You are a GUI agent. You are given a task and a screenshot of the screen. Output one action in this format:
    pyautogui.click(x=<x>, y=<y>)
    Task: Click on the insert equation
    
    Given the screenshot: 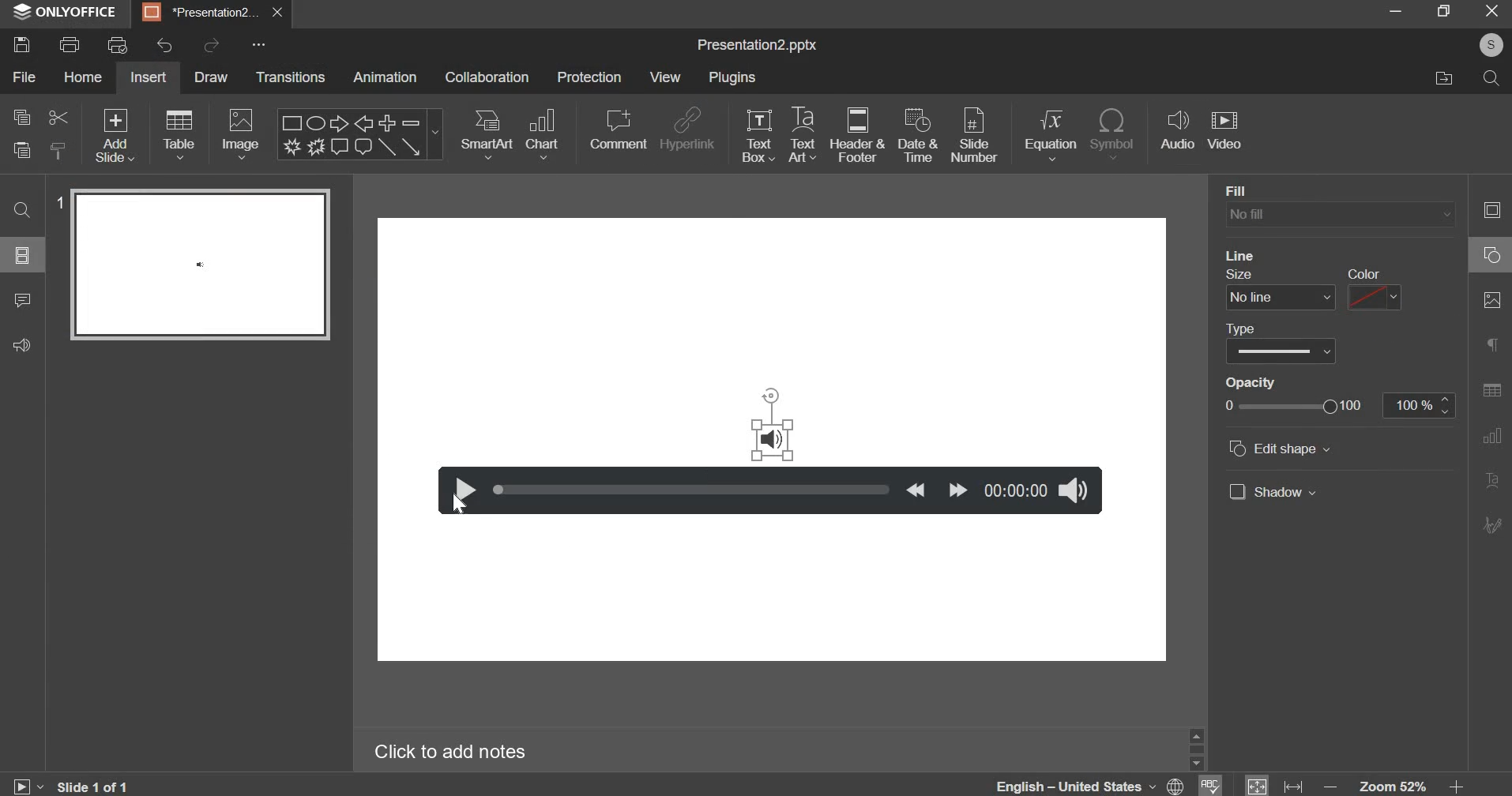 What is the action you would take?
    pyautogui.click(x=1054, y=135)
    